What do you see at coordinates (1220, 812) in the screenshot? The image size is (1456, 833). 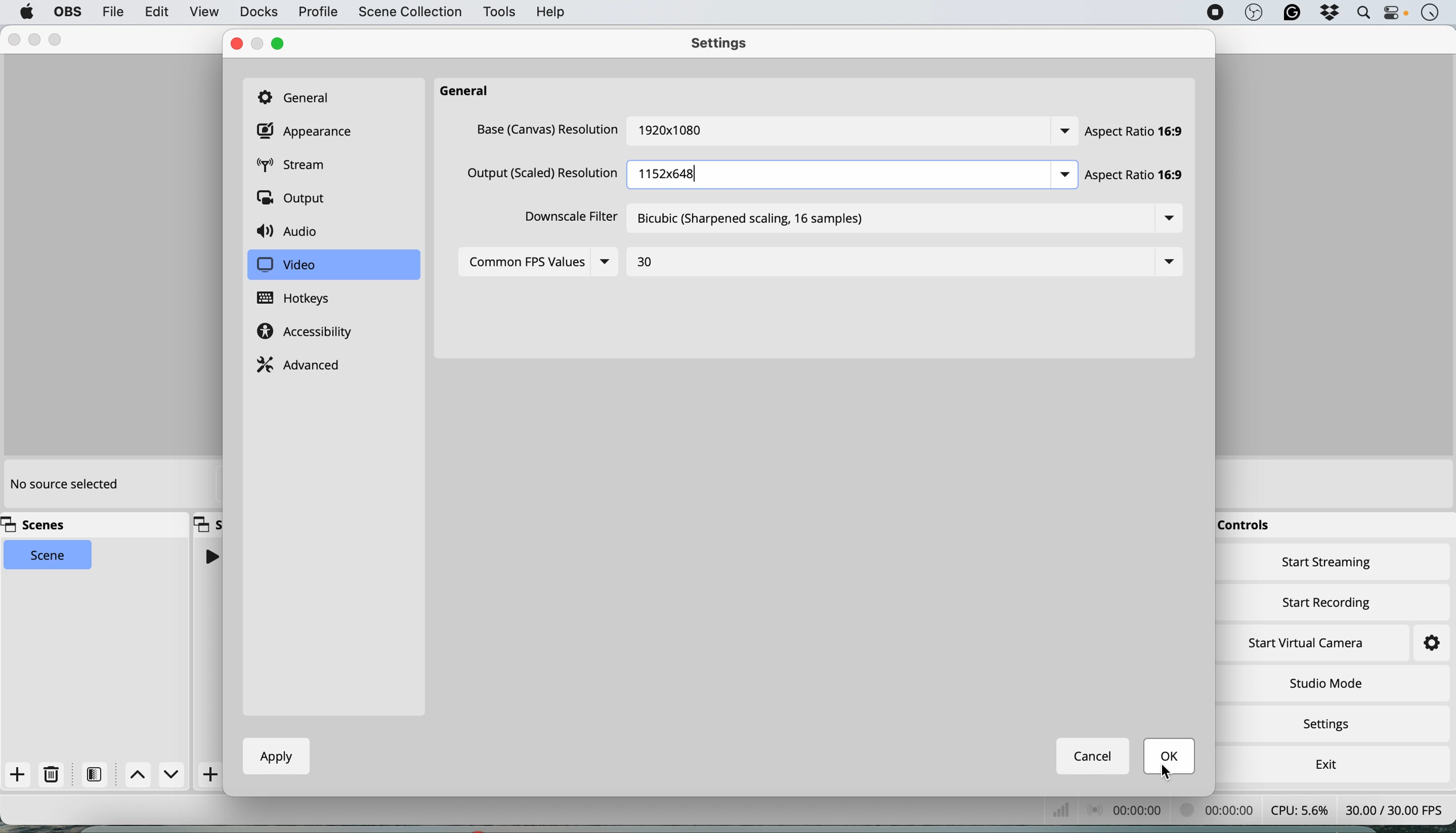 I see `video recording timestamp` at bounding box center [1220, 812].